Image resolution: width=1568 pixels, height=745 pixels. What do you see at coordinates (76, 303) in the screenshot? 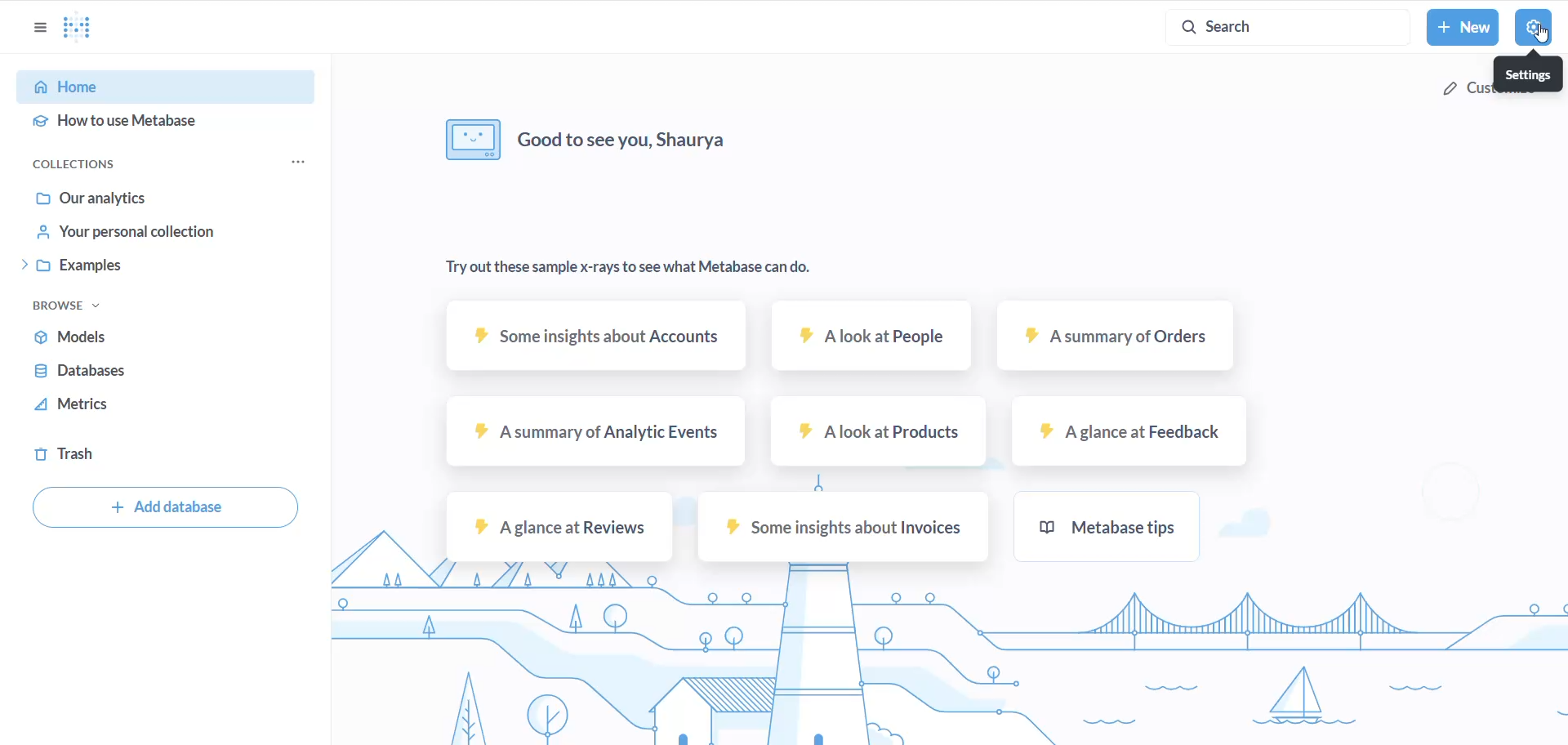
I see `BROWSE` at bounding box center [76, 303].